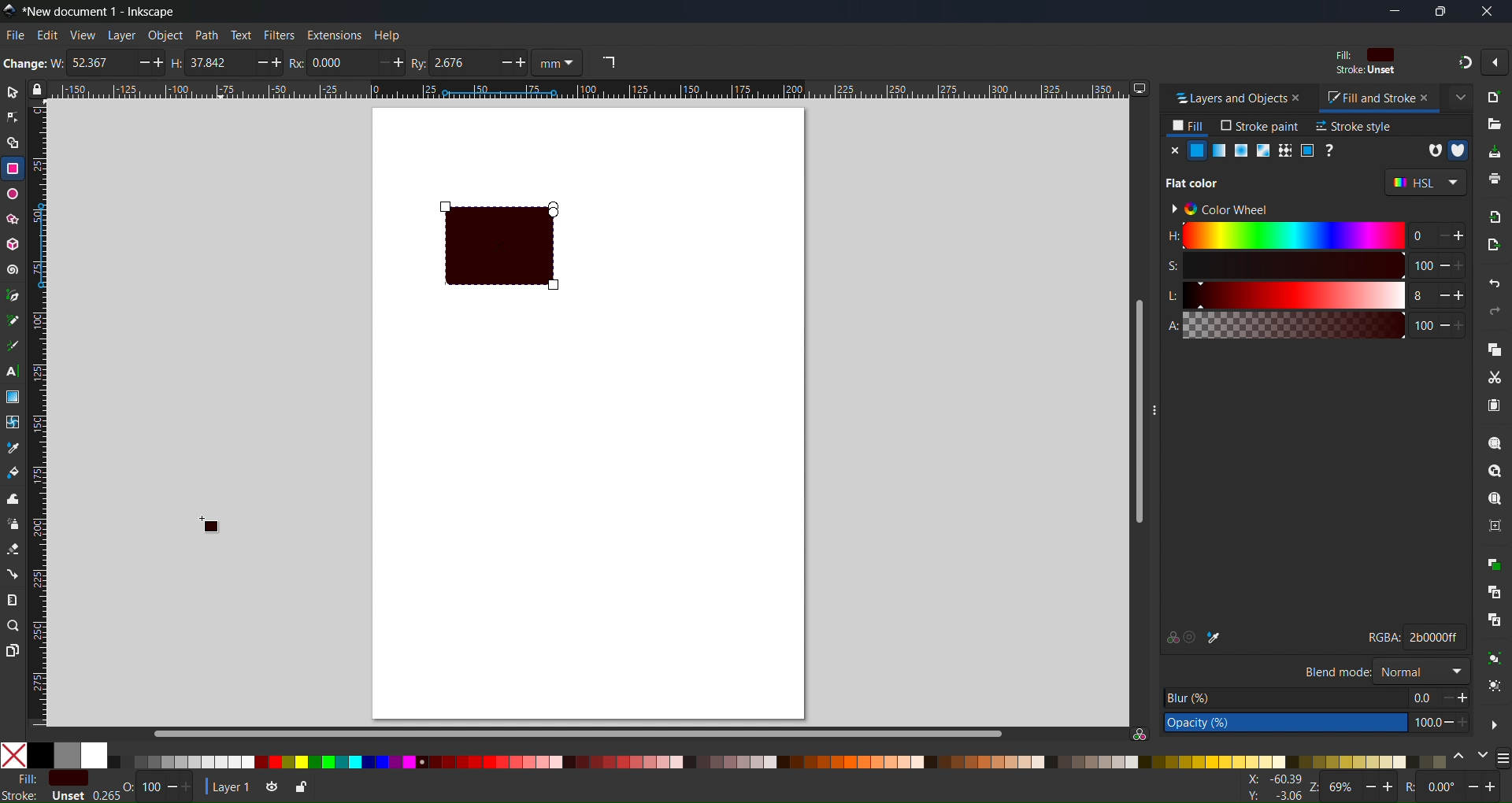  Describe the element at coordinates (32, 65) in the screenshot. I see `change W:` at that location.